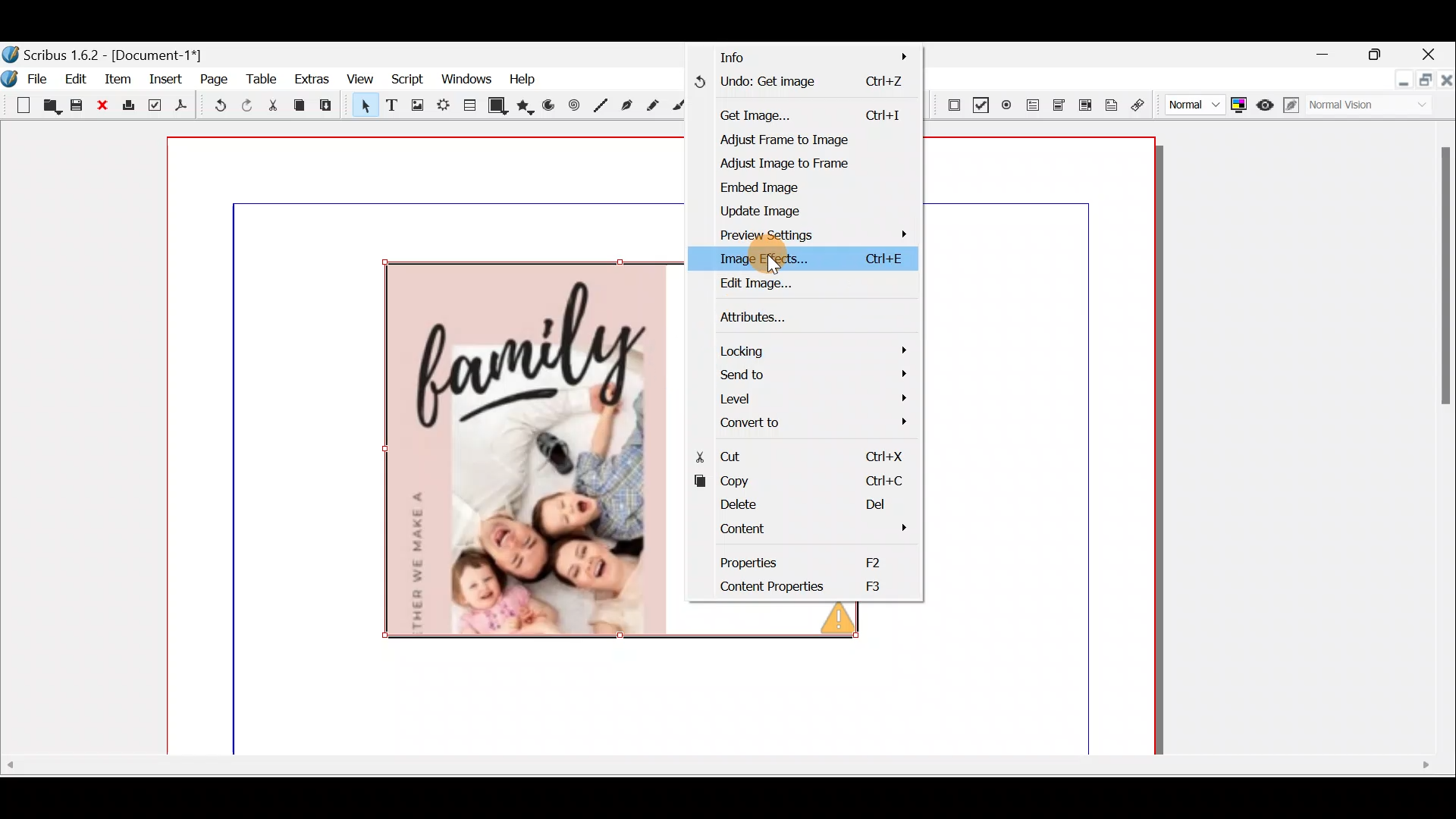 This screenshot has width=1456, height=819. What do you see at coordinates (300, 105) in the screenshot?
I see `Copy` at bounding box center [300, 105].